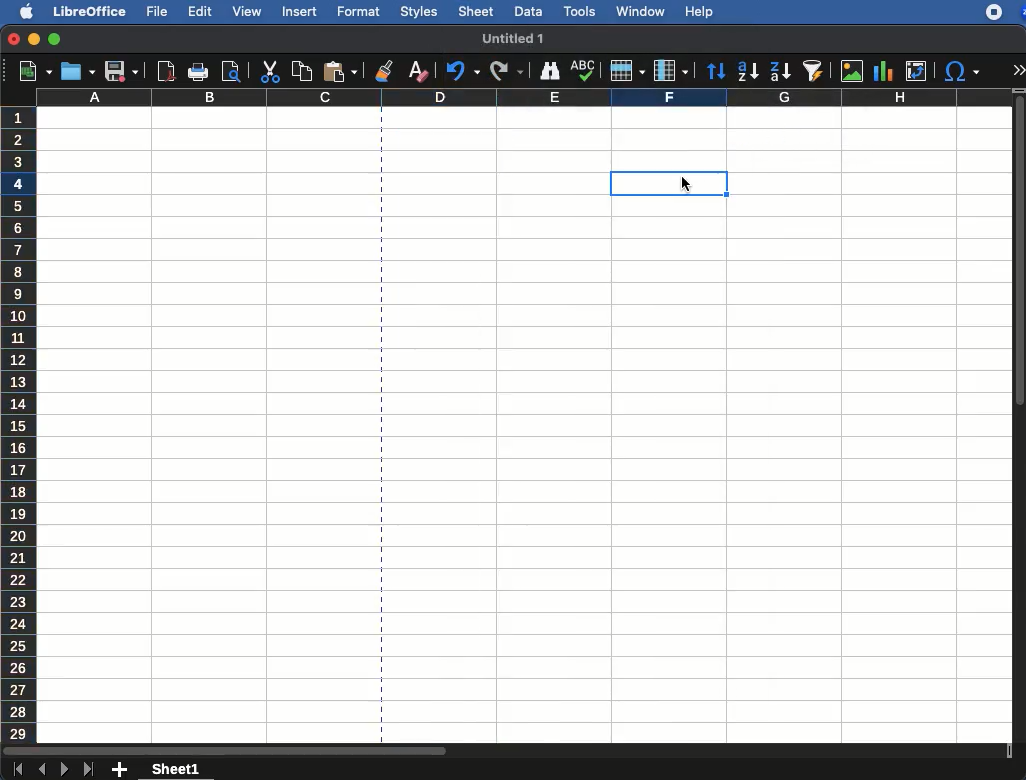 Image resolution: width=1026 pixels, height=780 pixels. What do you see at coordinates (30, 72) in the screenshot?
I see `new` at bounding box center [30, 72].